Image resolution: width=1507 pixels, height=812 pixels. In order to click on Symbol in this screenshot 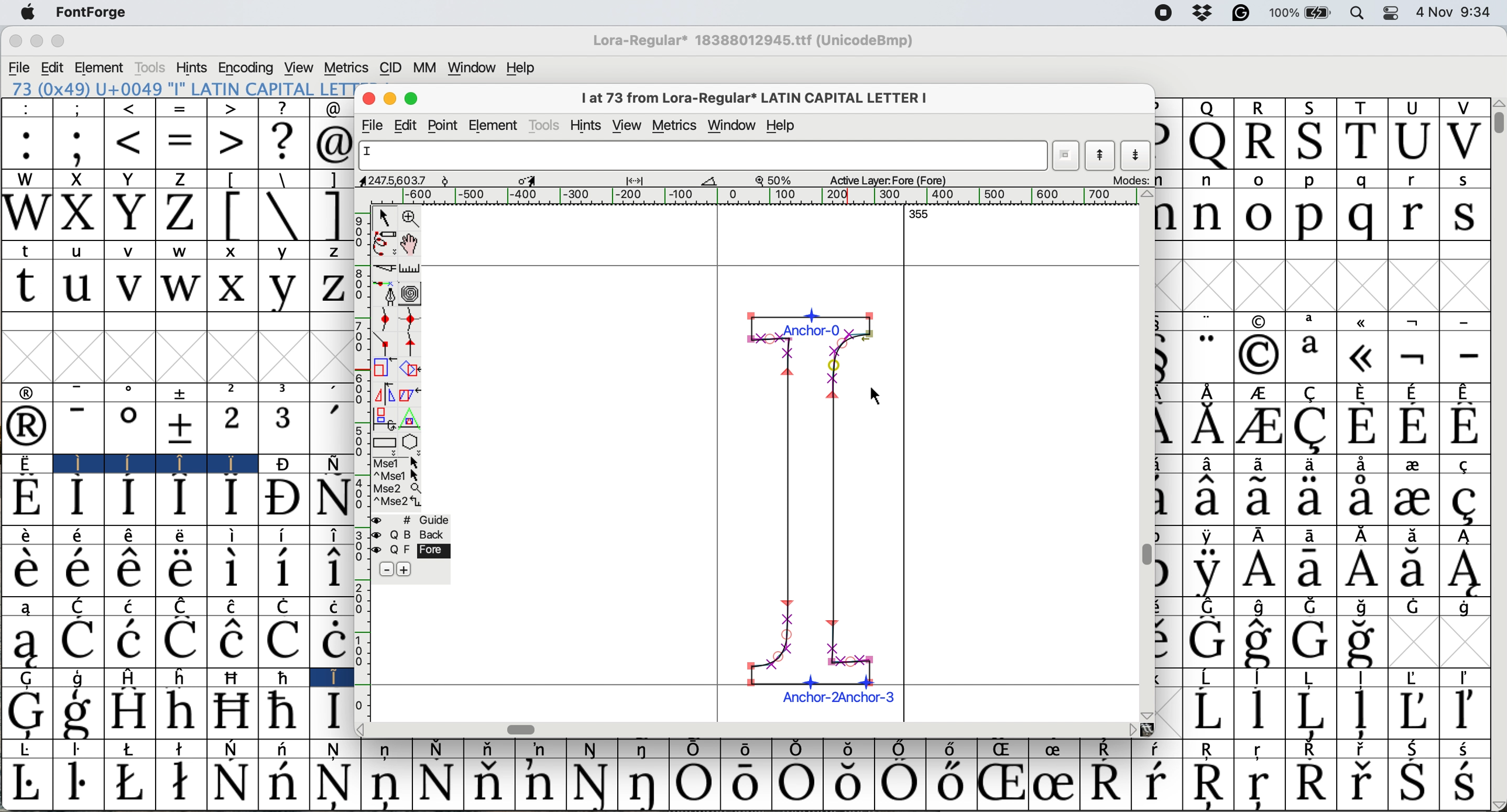, I will do `click(80, 713)`.